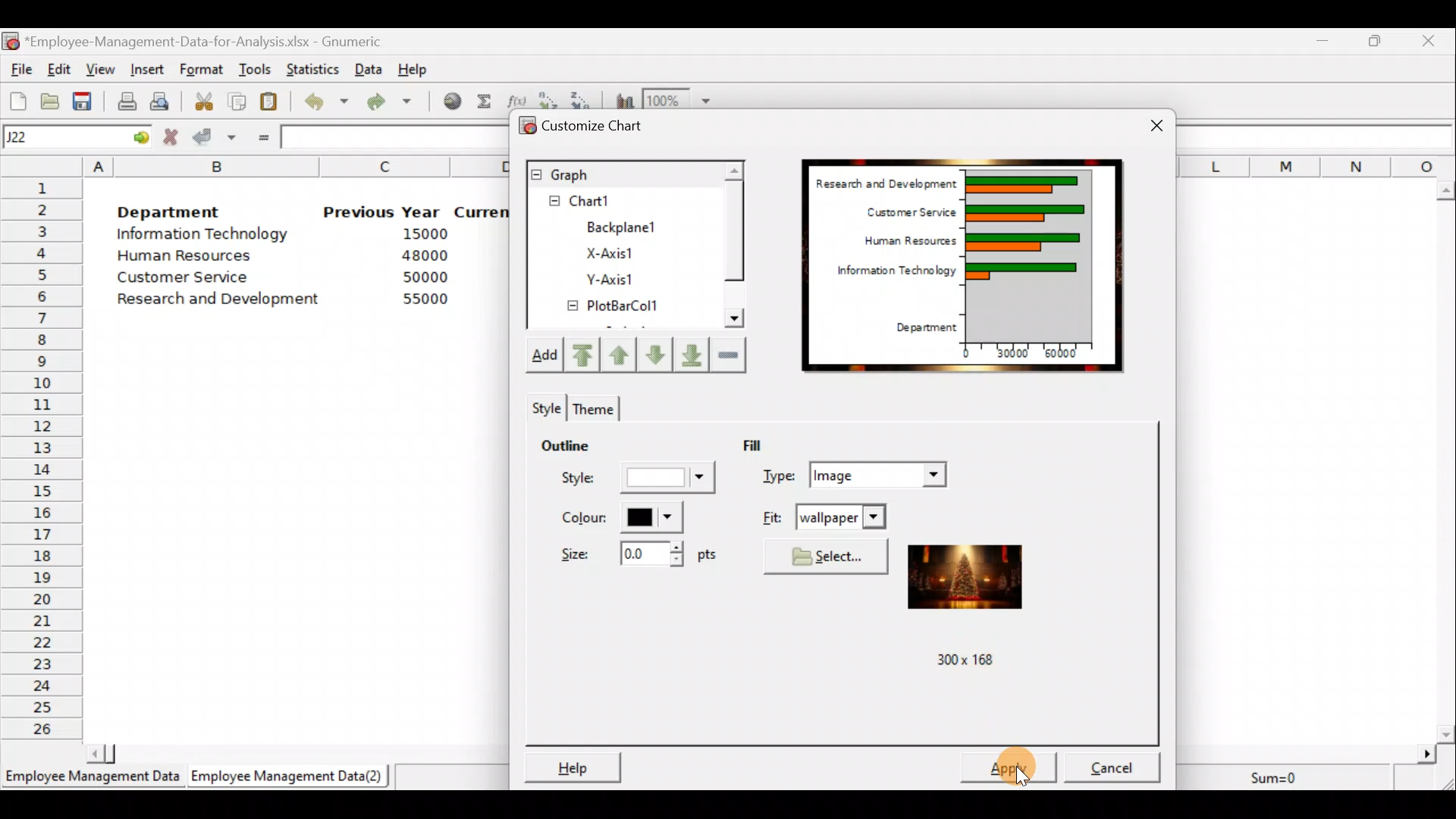 This screenshot has height=819, width=1456. Describe the element at coordinates (1010, 767) in the screenshot. I see `Apply` at that location.